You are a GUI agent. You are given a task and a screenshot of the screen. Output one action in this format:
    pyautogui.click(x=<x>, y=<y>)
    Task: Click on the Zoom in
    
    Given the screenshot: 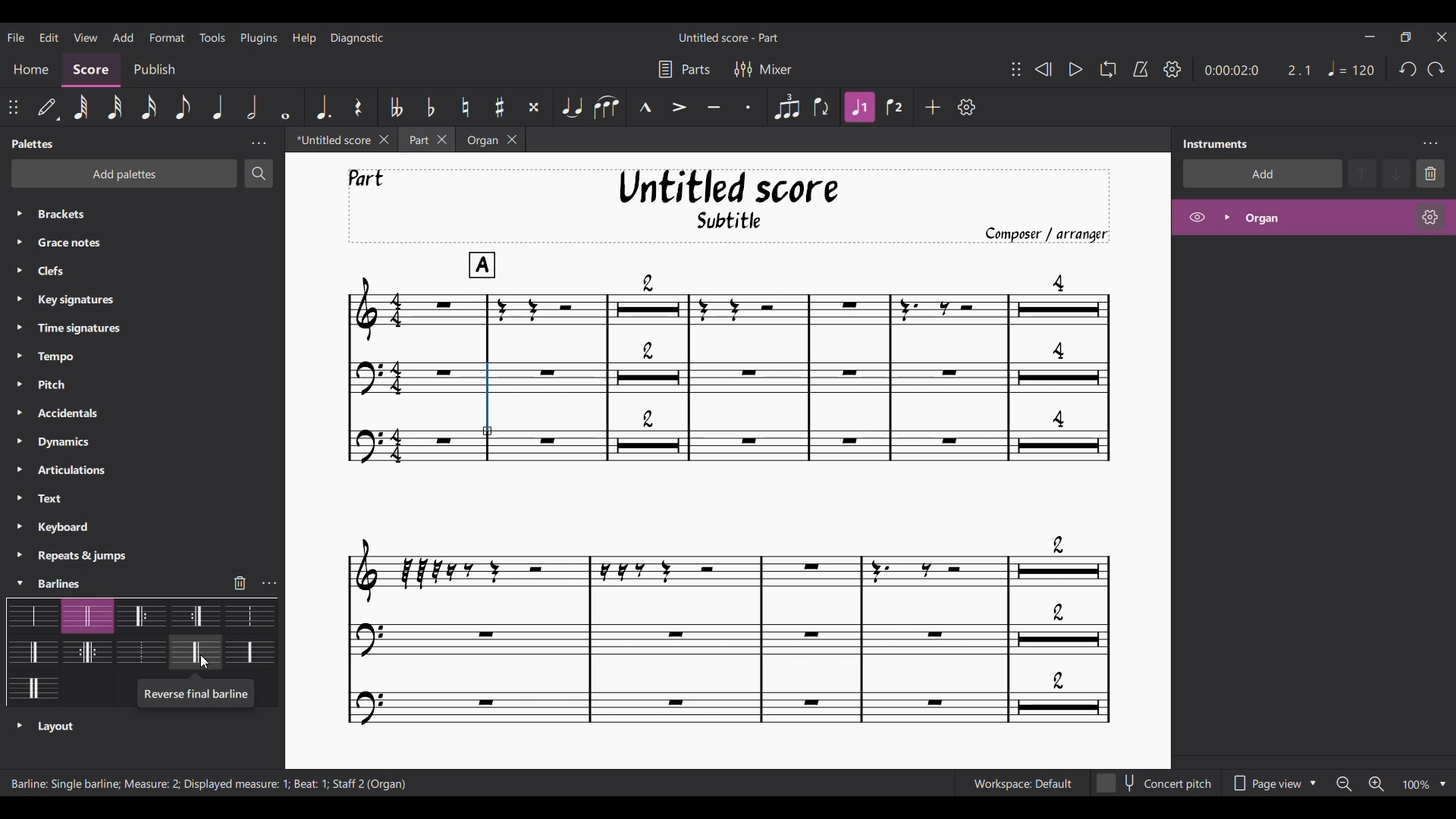 What is the action you would take?
    pyautogui.click(x=1376, y=784)
    